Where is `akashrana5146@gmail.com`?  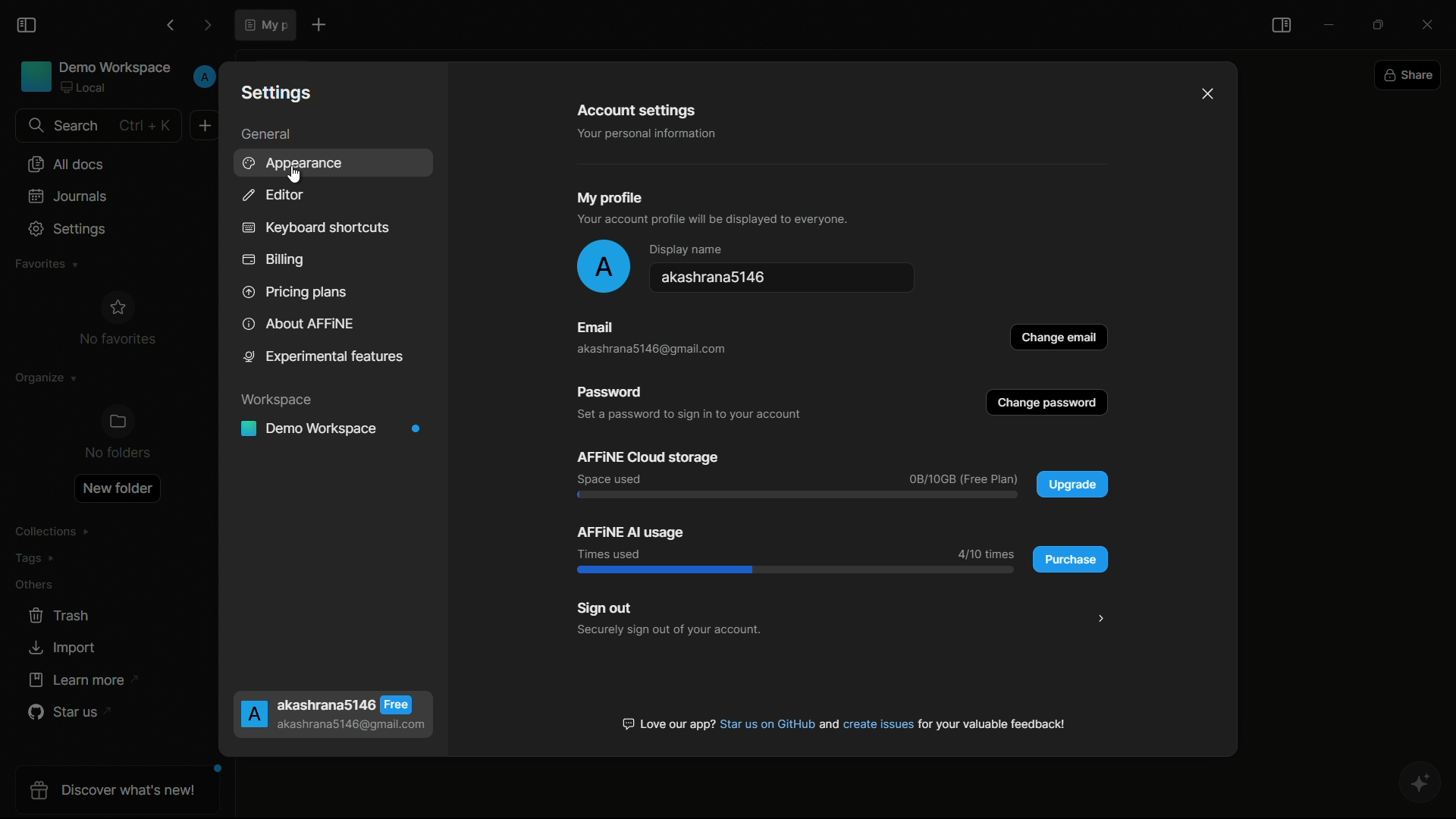 akashrana5146@gmail.com is located at coordinates (642, 349).